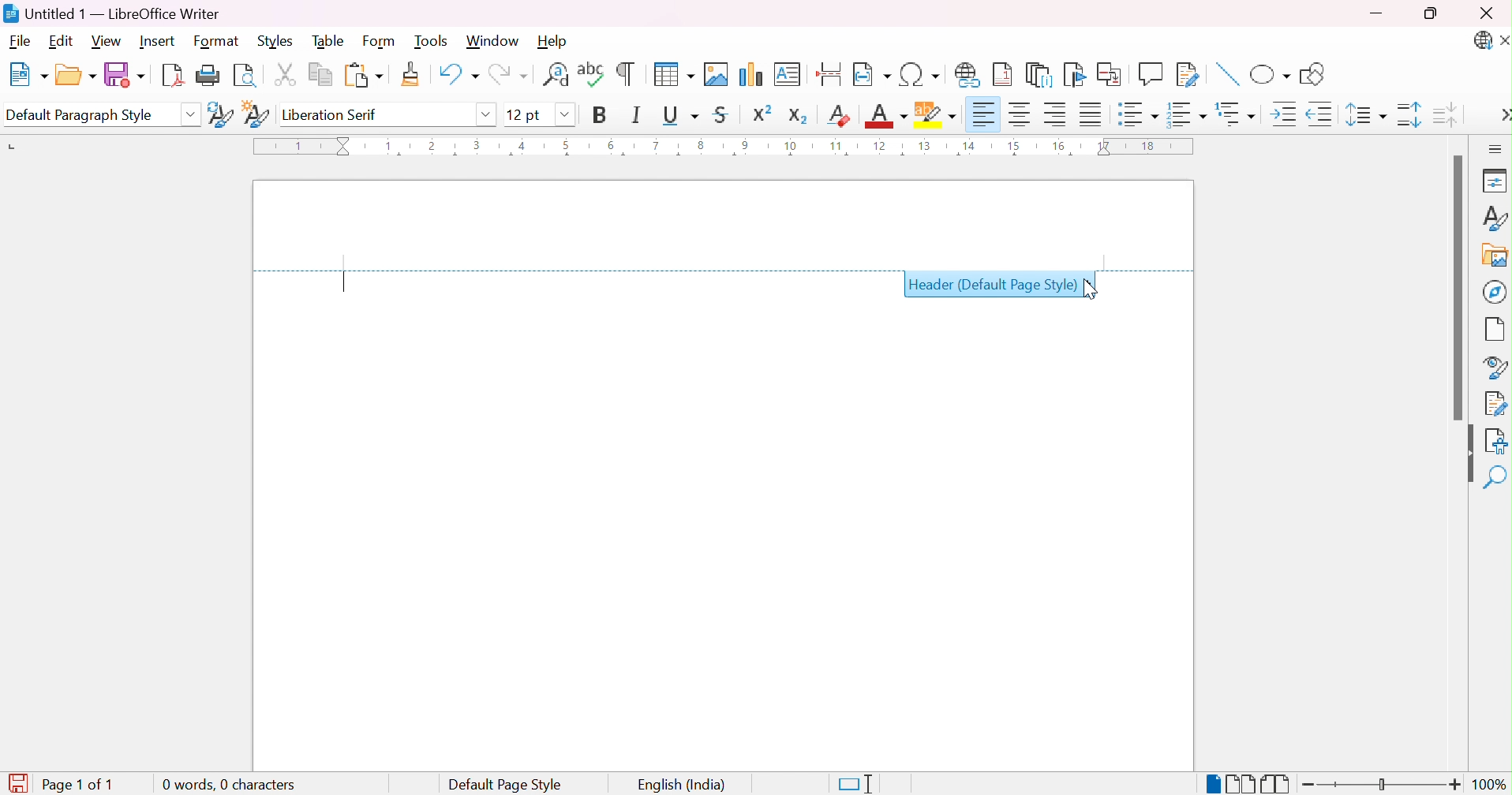 The image size is (1512, 795). What do you see at coordinates (1382, 784) in the screenshot?
I see `Slider` at bounding box center [1382, 784].